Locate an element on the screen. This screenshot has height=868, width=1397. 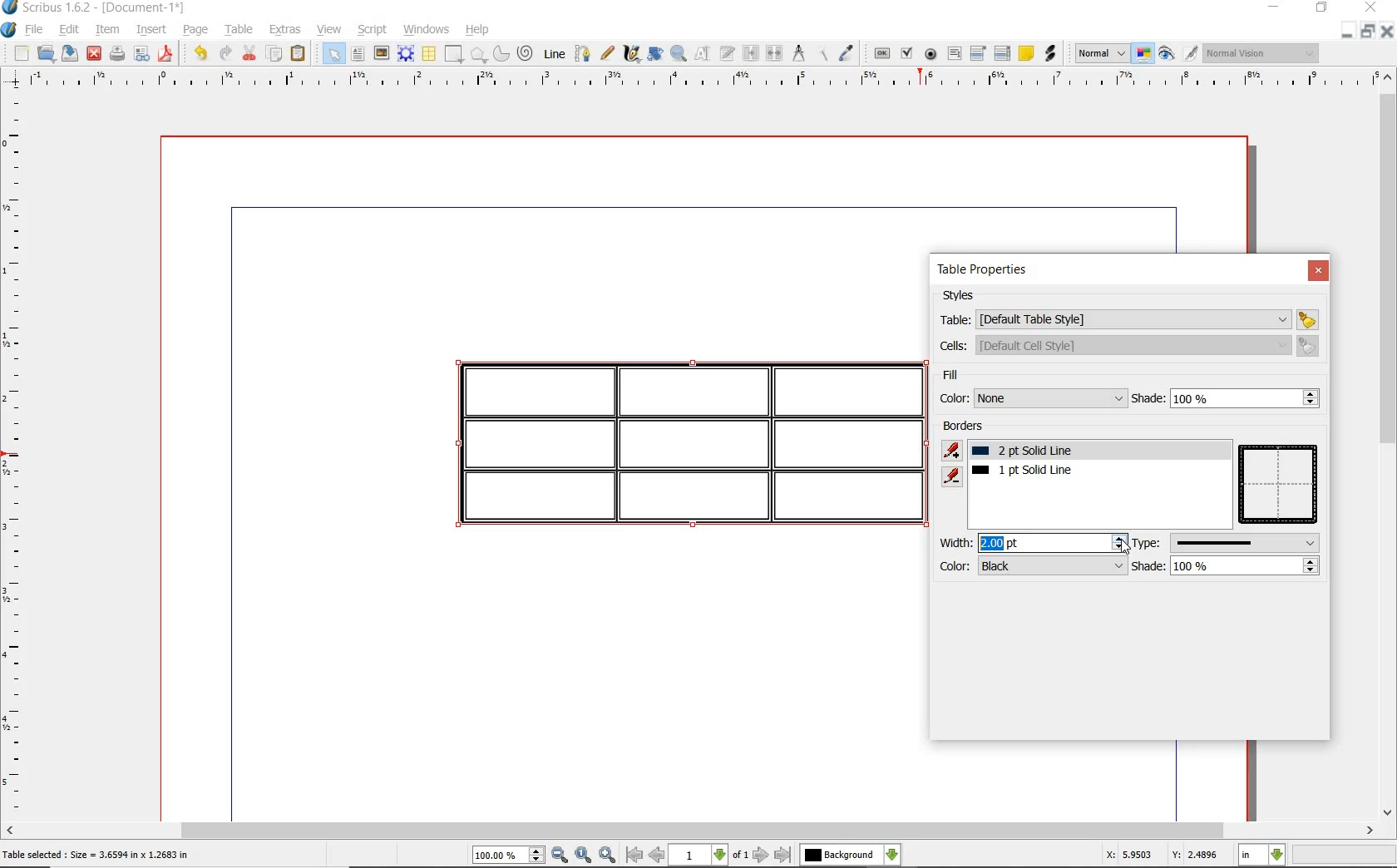
table is located at coordinates (1128, 318).